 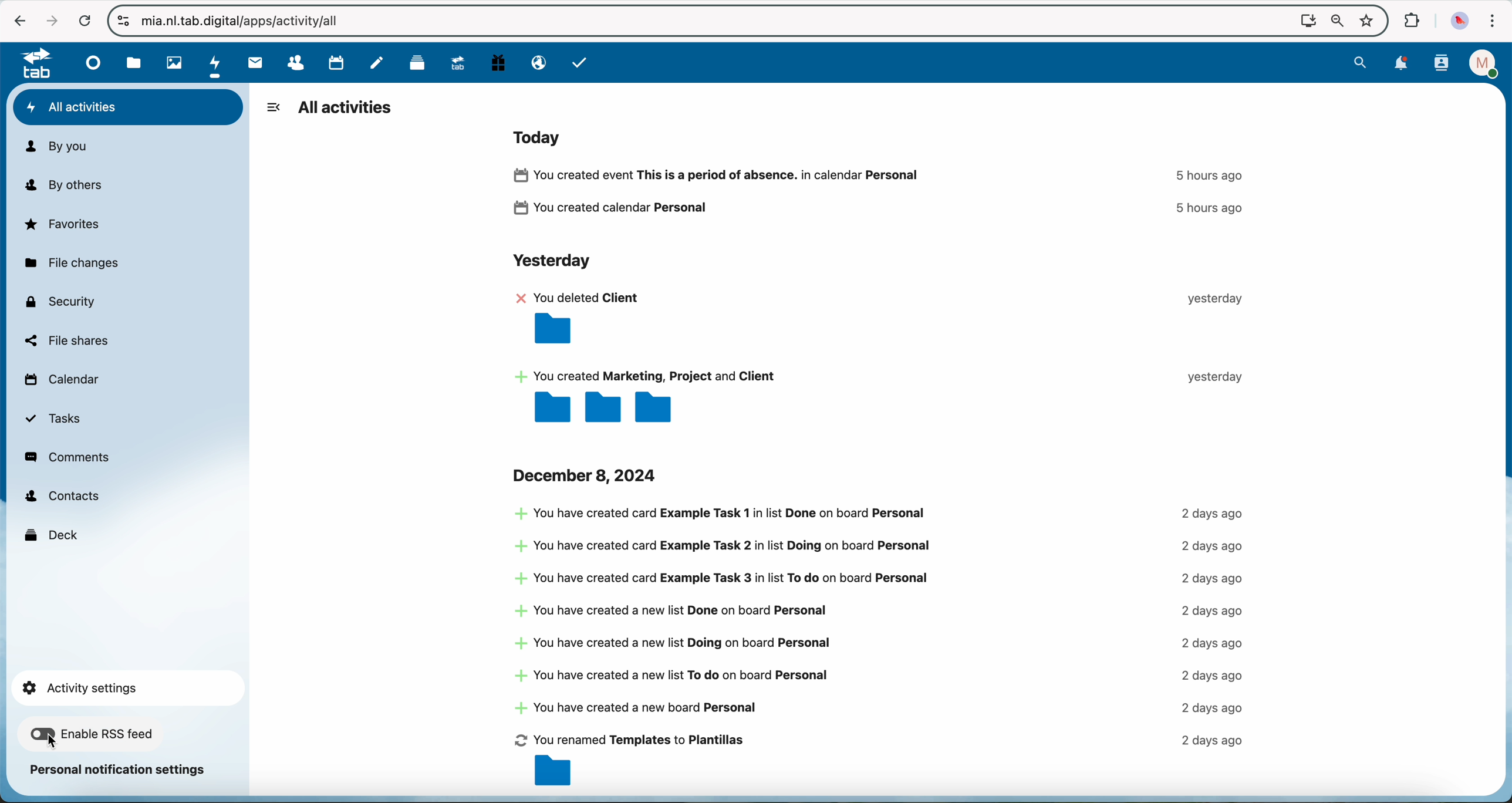 What do you see at coordinates (413, 63) in the screenshot?
I see `deck` at bounding box center [413, 63].